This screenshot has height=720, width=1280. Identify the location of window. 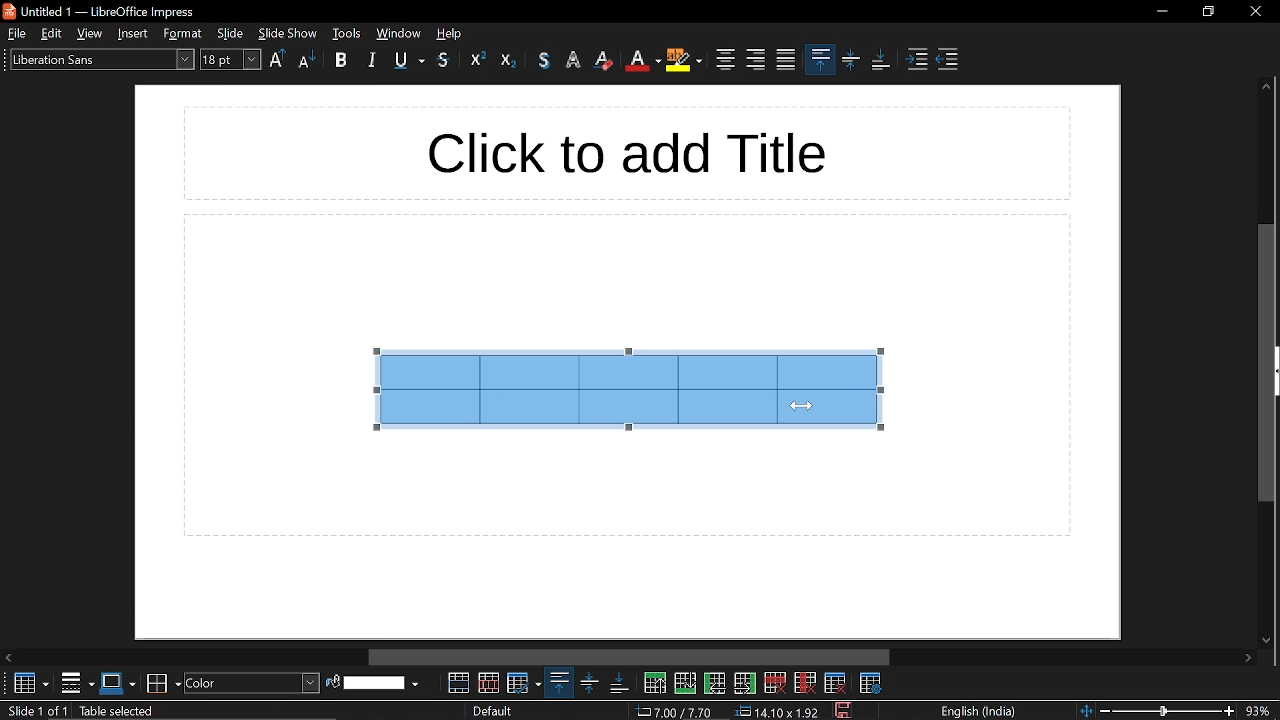
(398, 34).